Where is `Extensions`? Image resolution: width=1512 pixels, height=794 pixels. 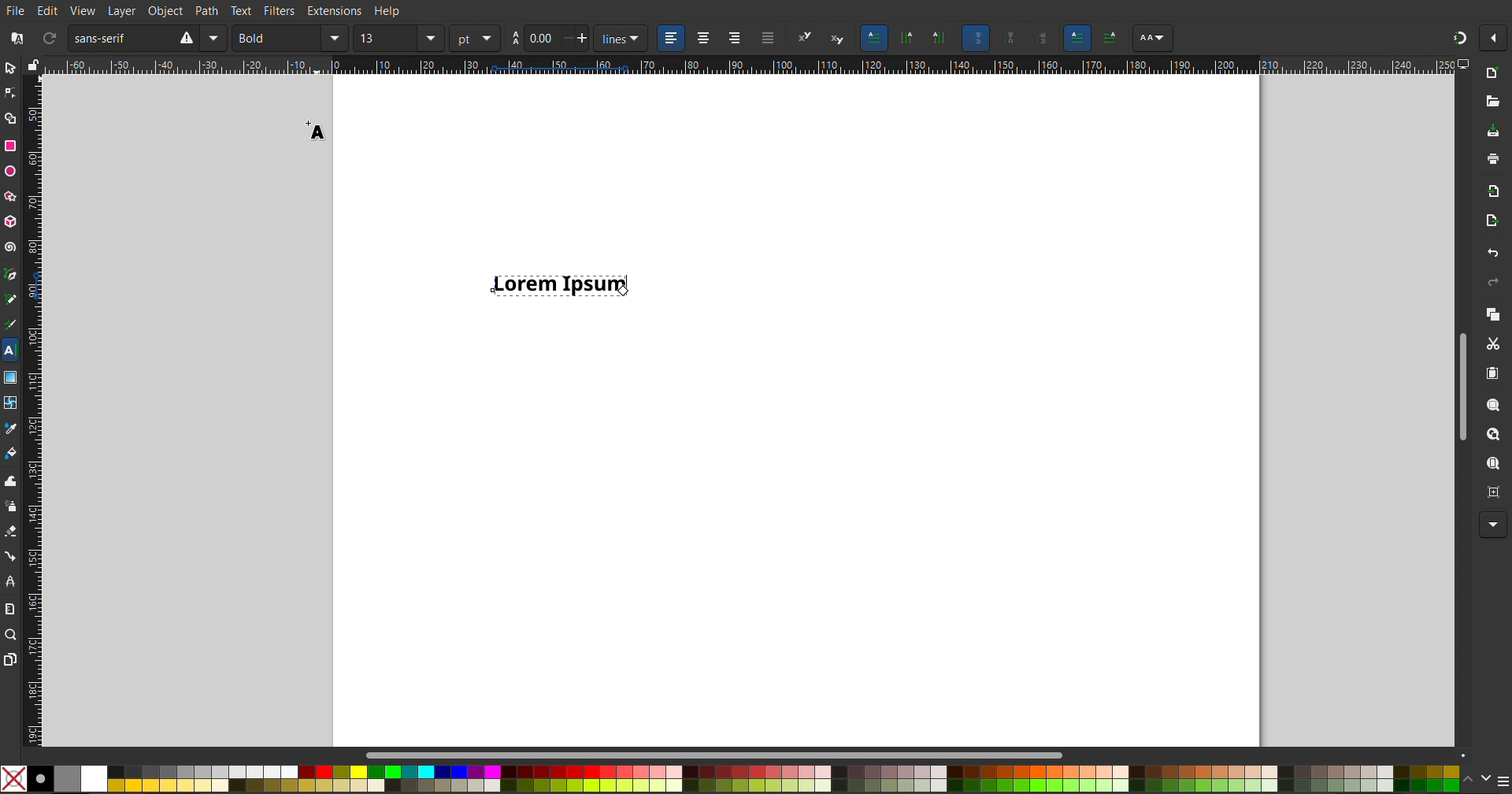 Extensions is located at coordinates (336, 11).